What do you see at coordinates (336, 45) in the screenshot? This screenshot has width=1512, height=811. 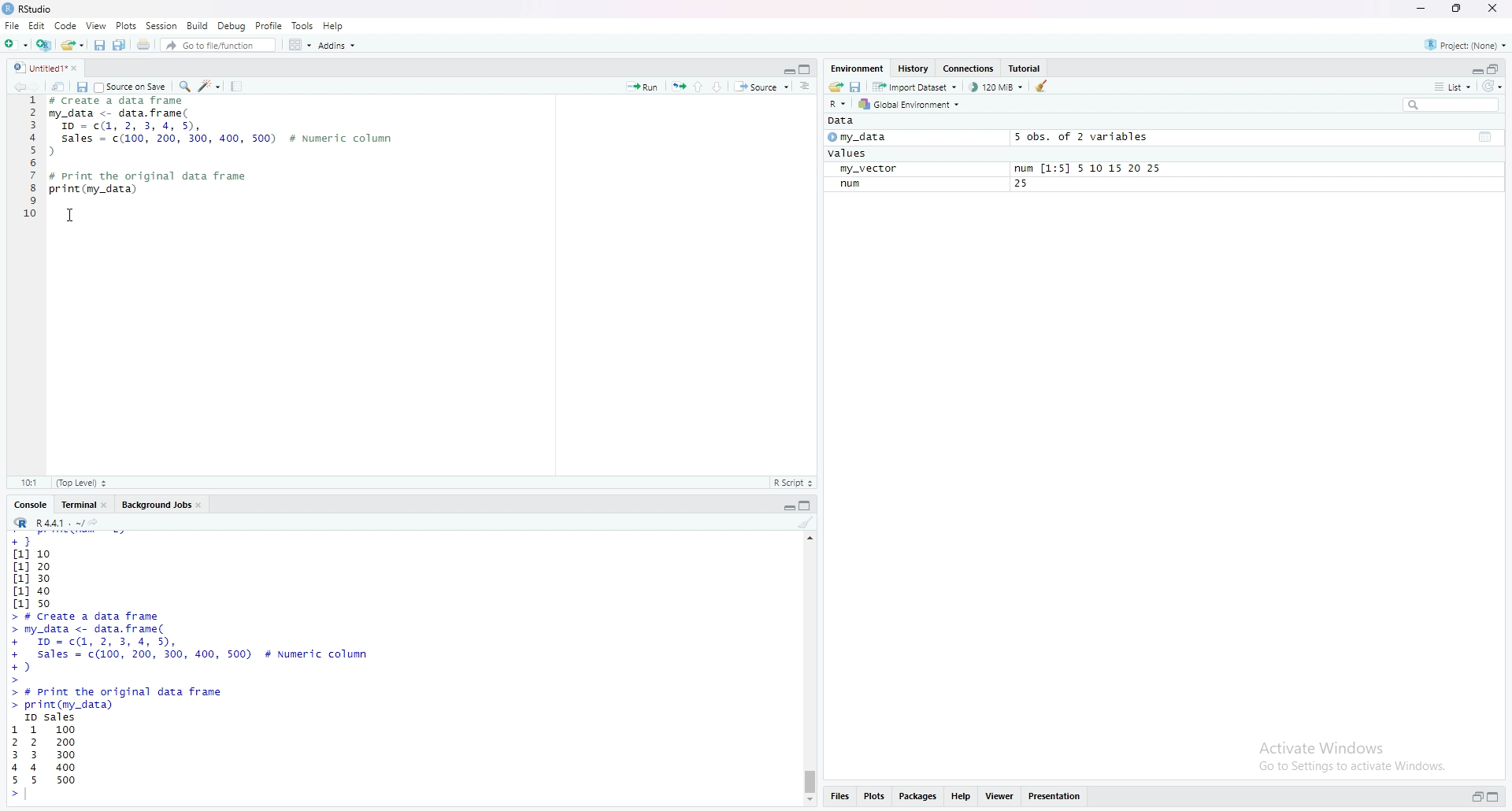 I see `addins` at bounding box center [336, 45].